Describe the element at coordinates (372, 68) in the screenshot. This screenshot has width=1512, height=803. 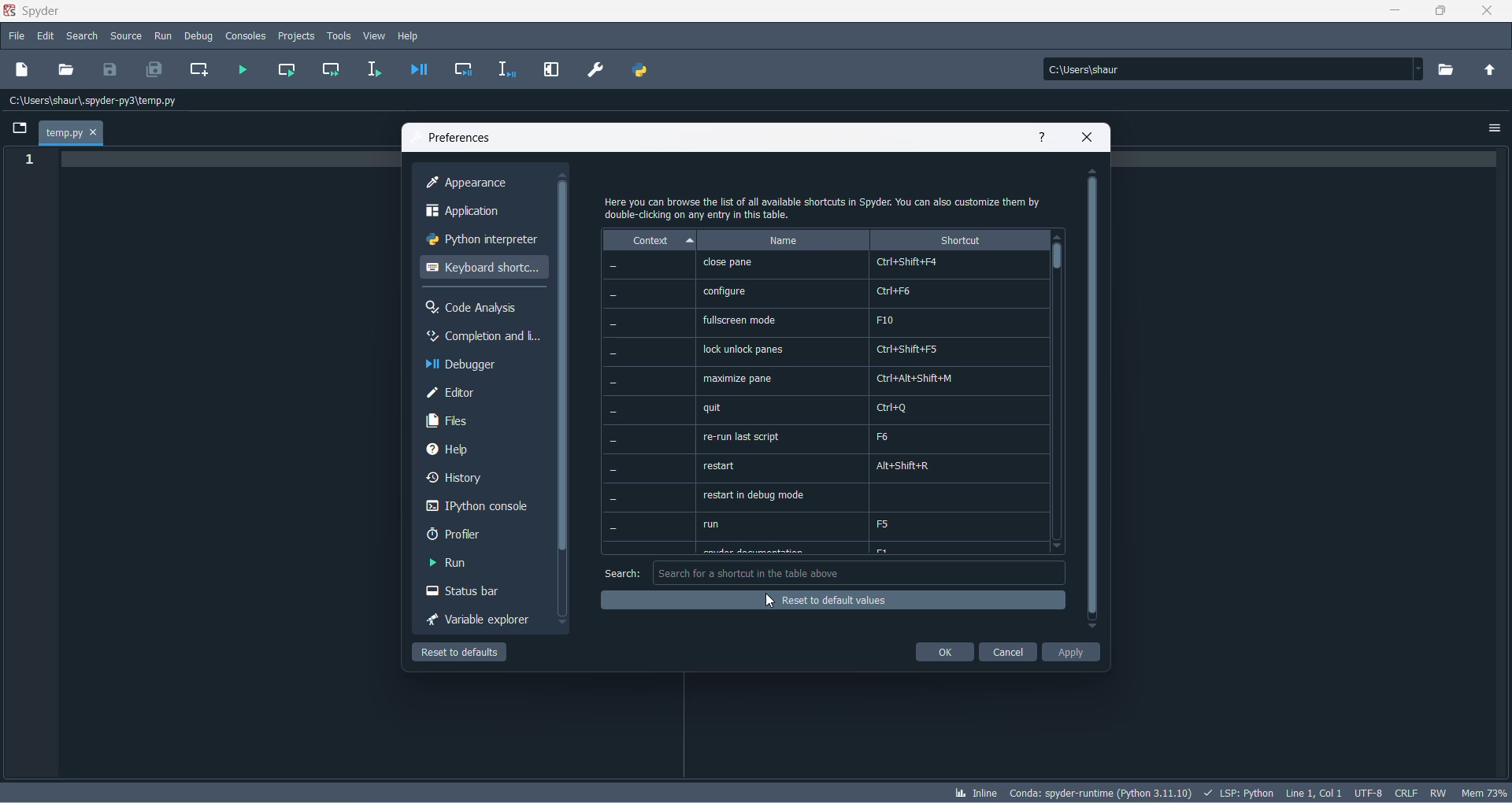
I see `run selection` at that location.